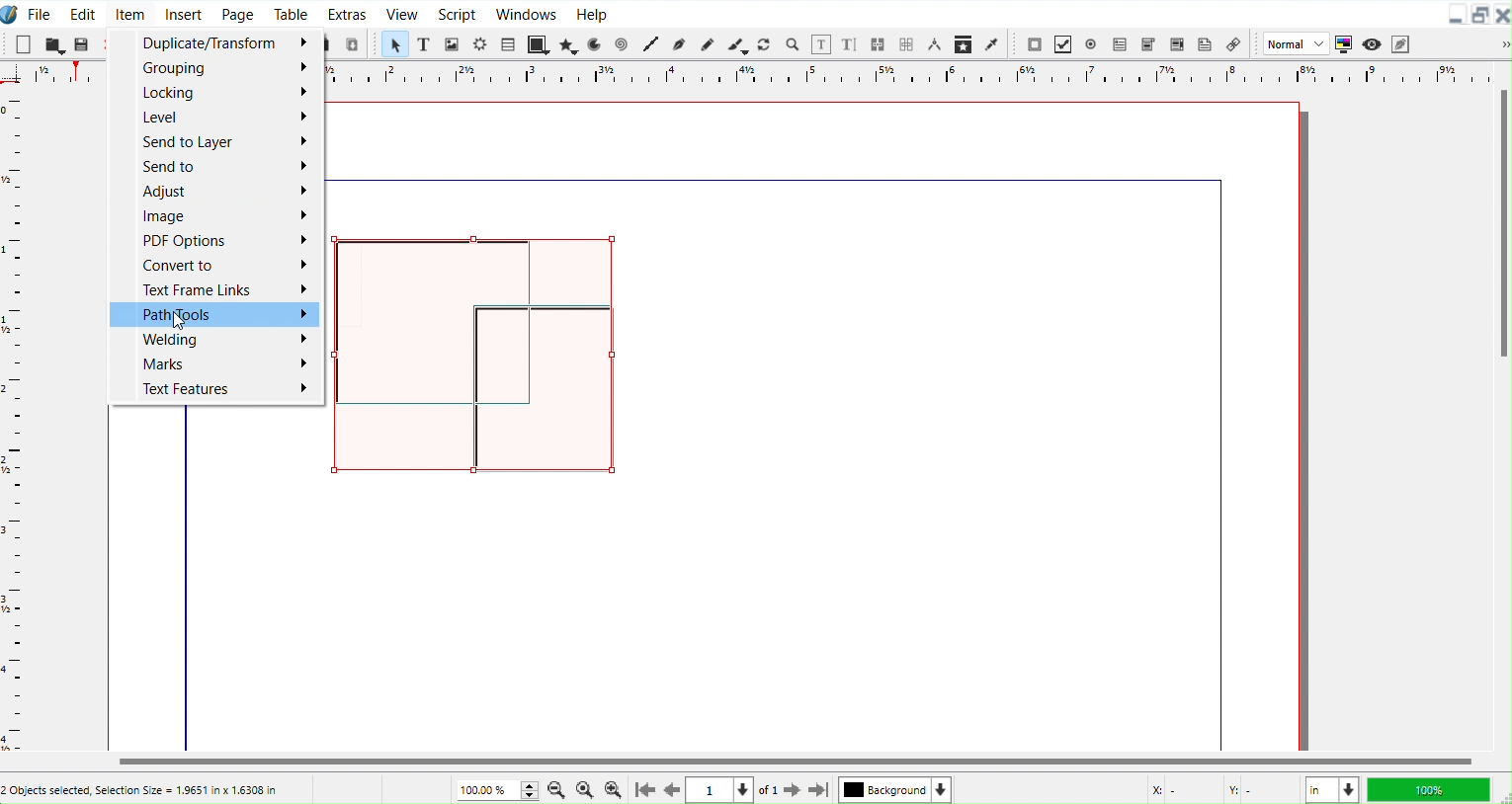  Describe the element at coordinates (15, 423) in the screenshot. I see `Horizontal Scale bar` at that location.